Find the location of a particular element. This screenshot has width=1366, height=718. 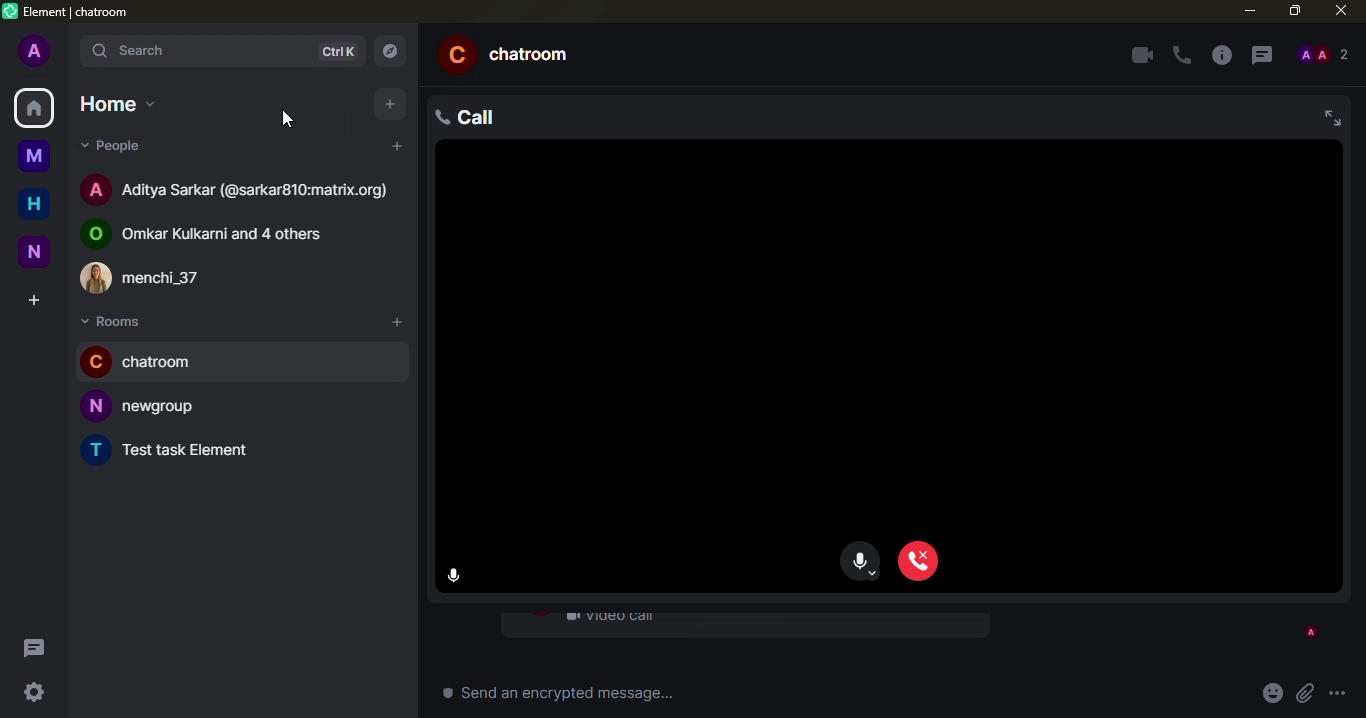

more is located at coordinates (1339, 694).